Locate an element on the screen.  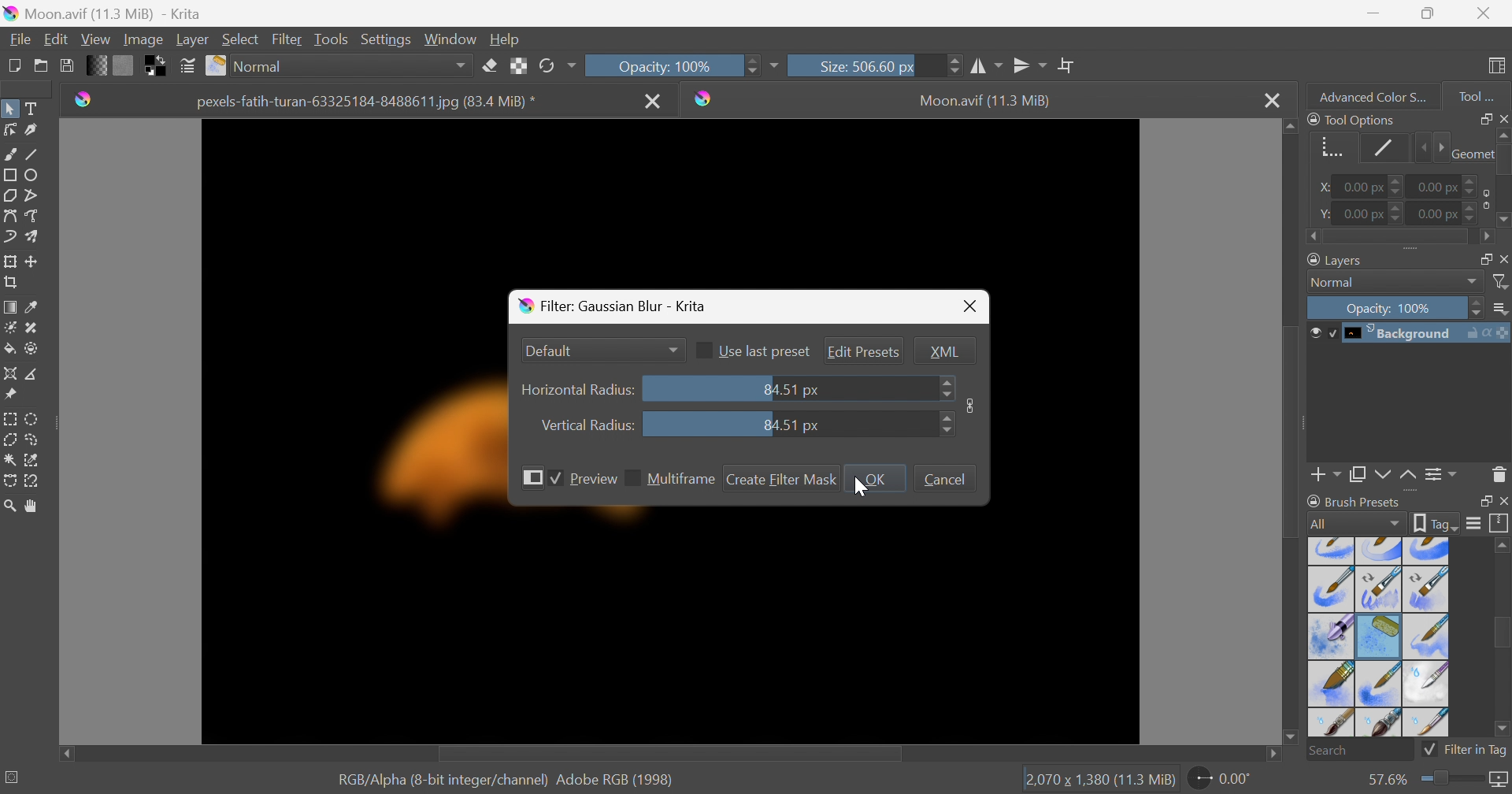
Image is located at coordinates (971, 404).